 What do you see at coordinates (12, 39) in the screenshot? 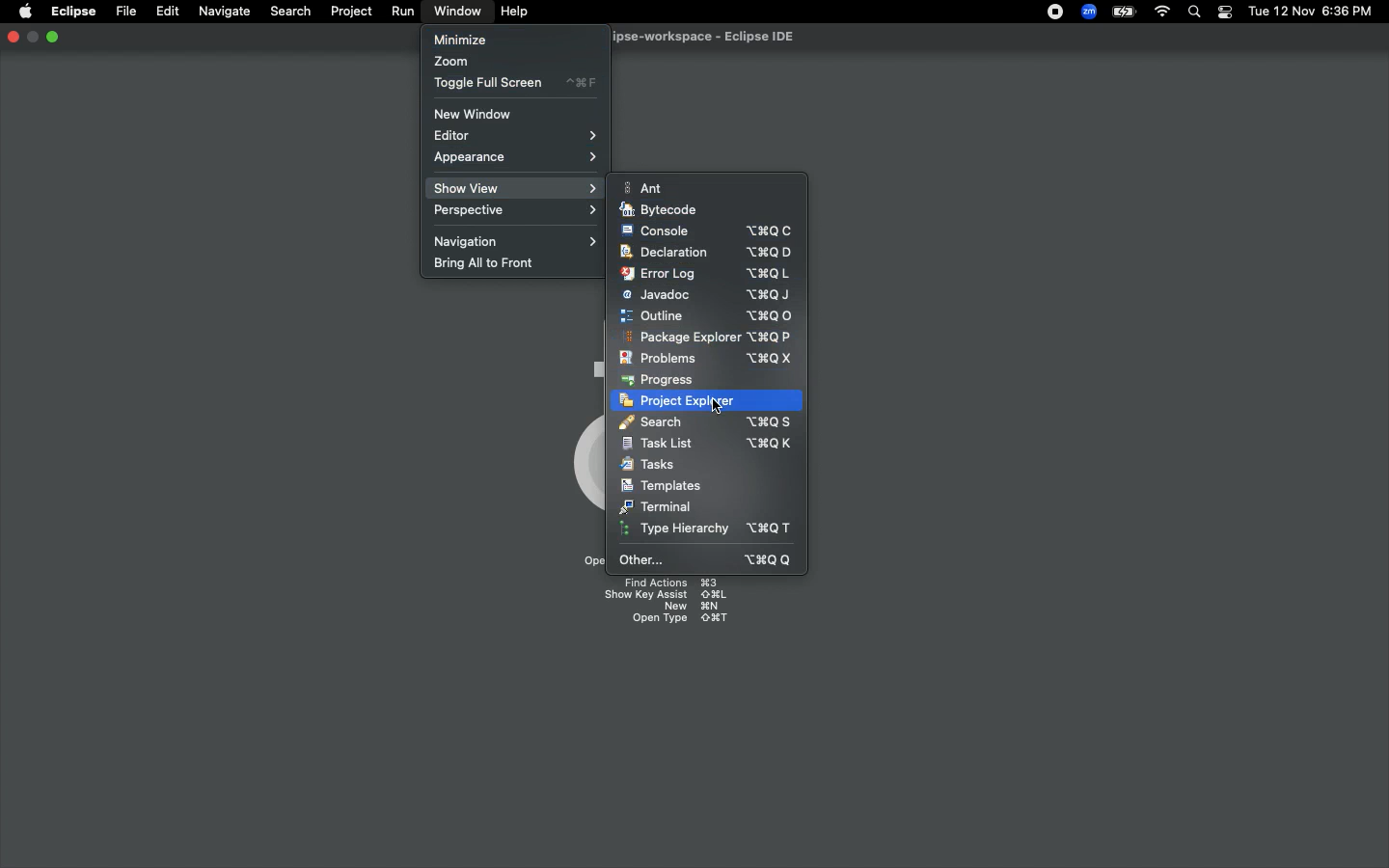
I see `Close` at bounding box center [12, 39].